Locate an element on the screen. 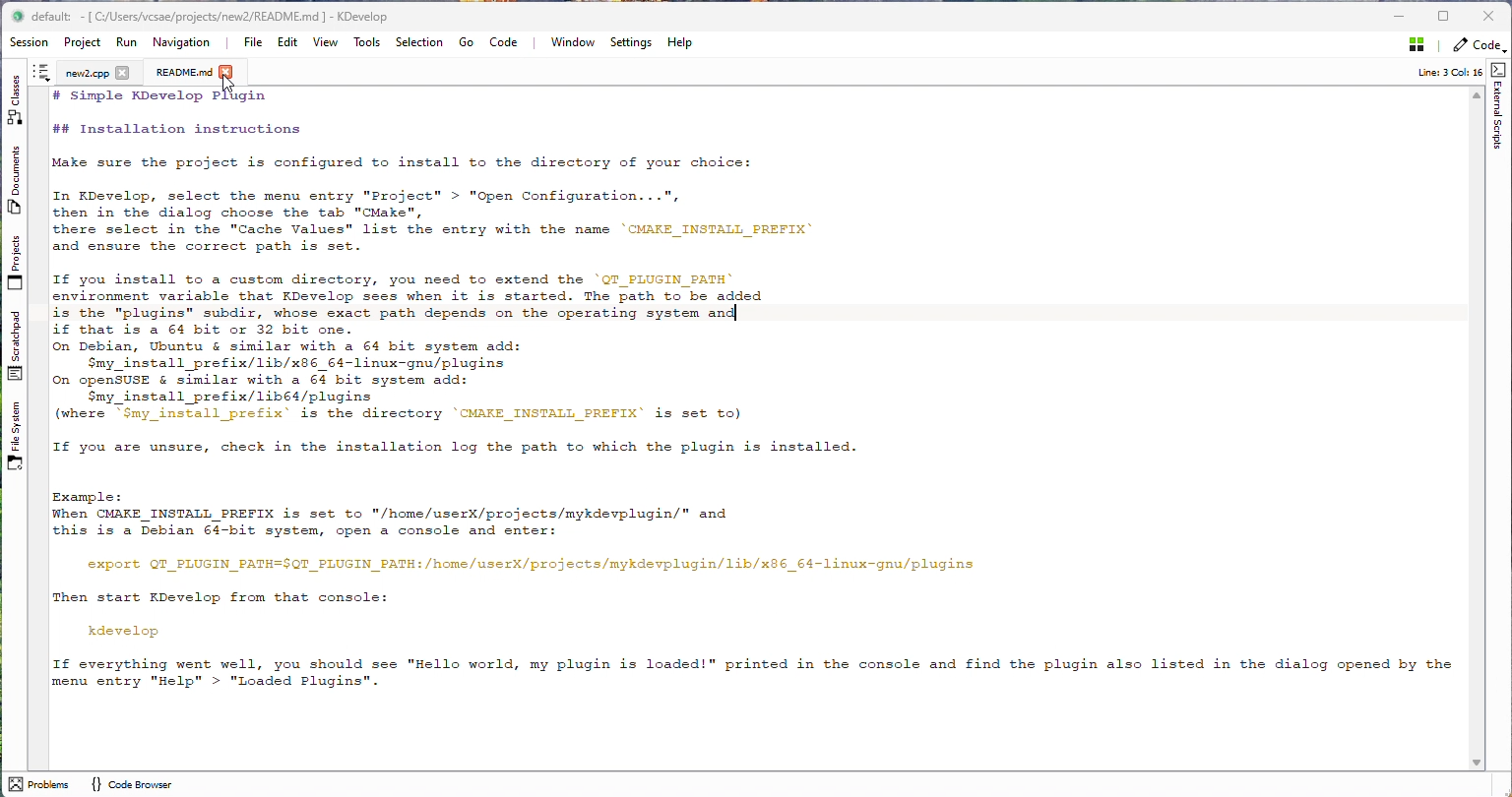 This screenshot has height=797, width=1512. File System is located at coordinates (15, 437).